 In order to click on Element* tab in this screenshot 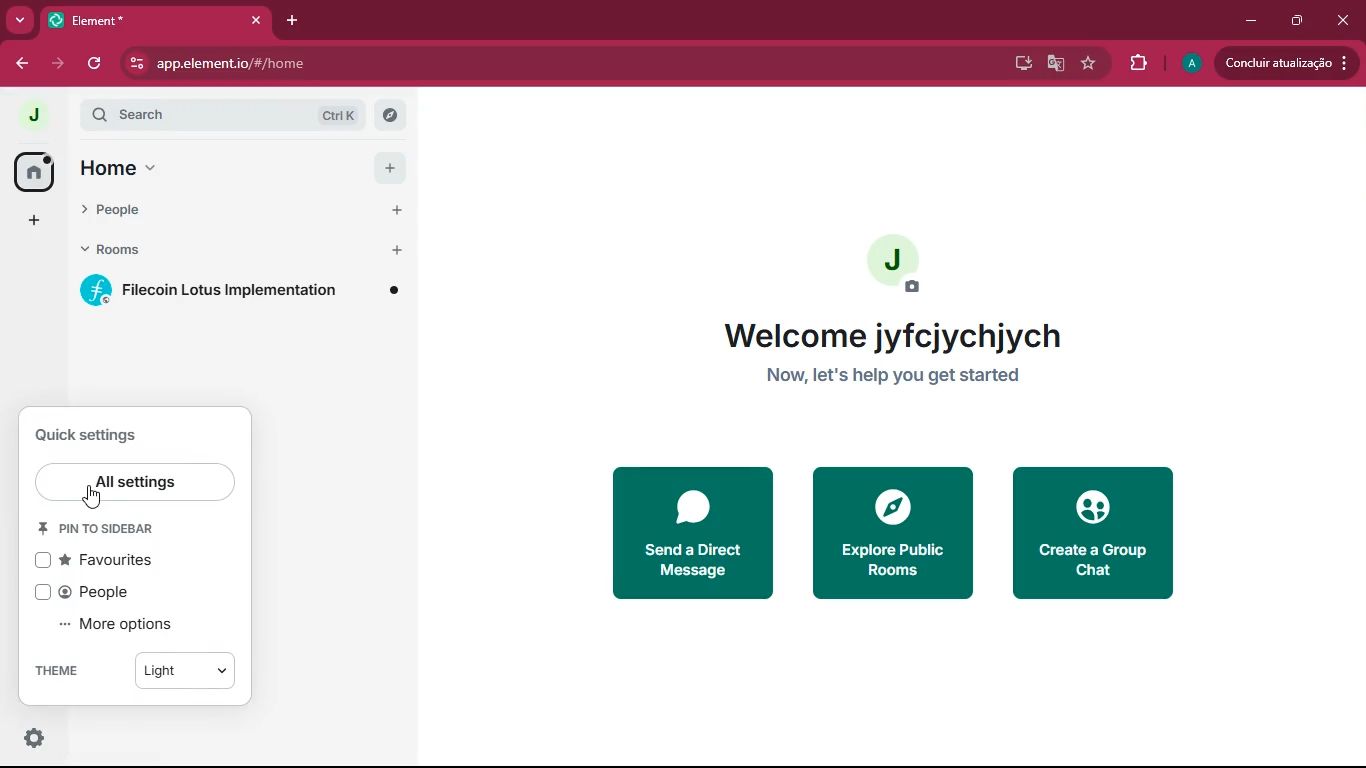, I will do `click(127, 20)`.